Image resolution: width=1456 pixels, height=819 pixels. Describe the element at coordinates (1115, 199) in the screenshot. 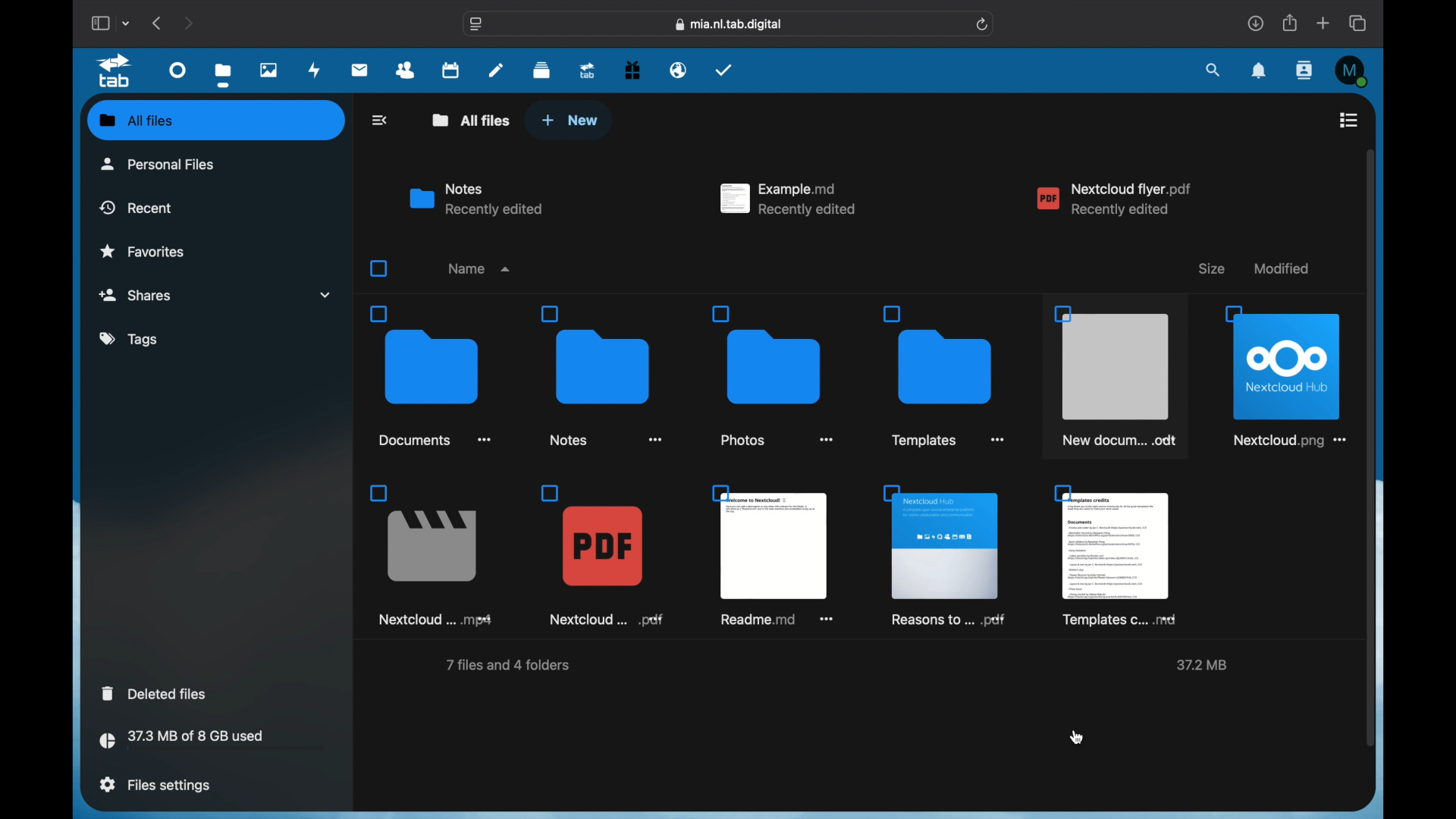

I see `nextcloud` at that location.